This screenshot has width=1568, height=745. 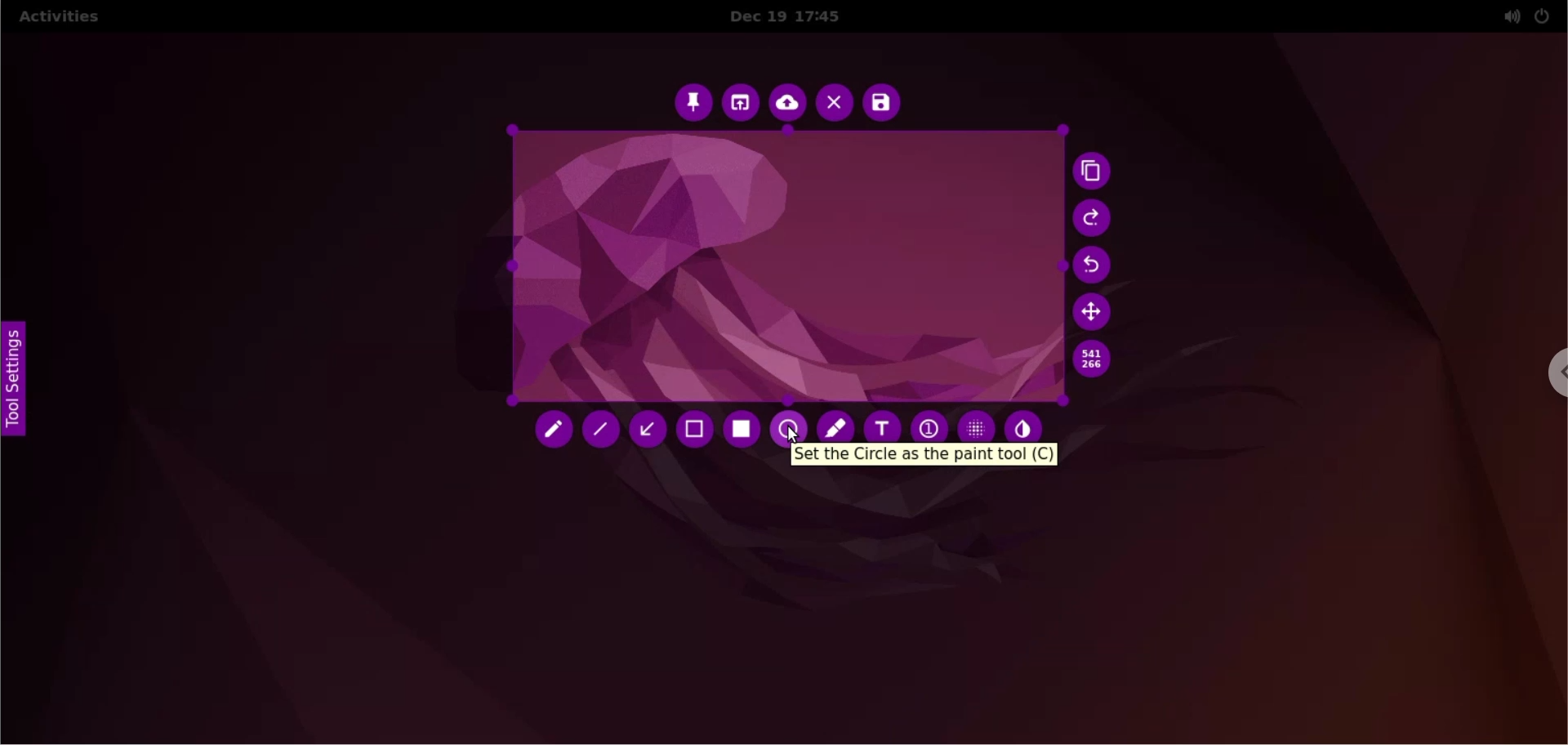 I want to click on choose app to open screenshot, so click(x=742, y=103).